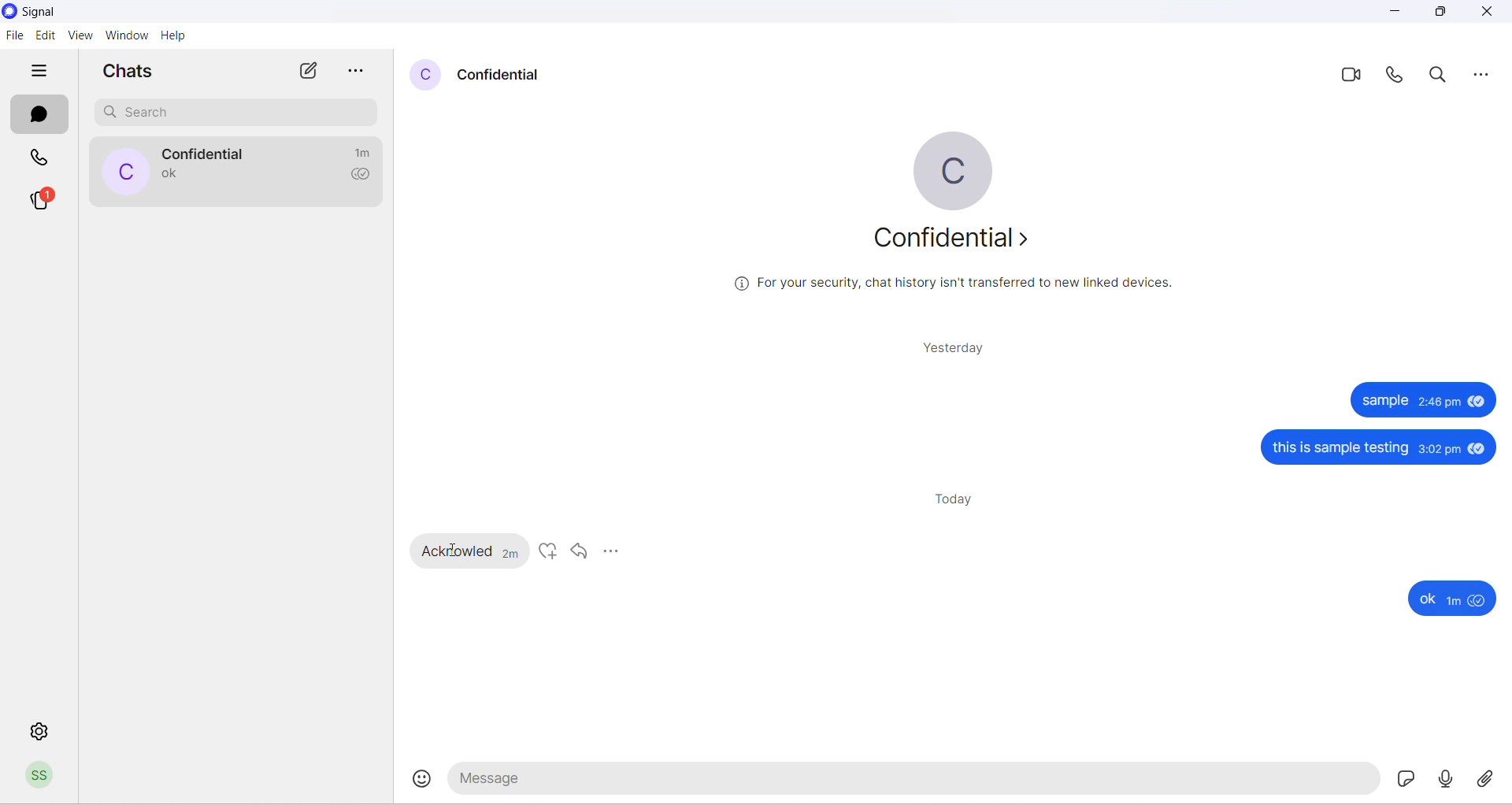 Image resolution: width=1512 pixels, height=805 pixels. What do you see at coordinates (361, 174) in the screenshot?
I see `read recipient` at bounding box center [361, 174].